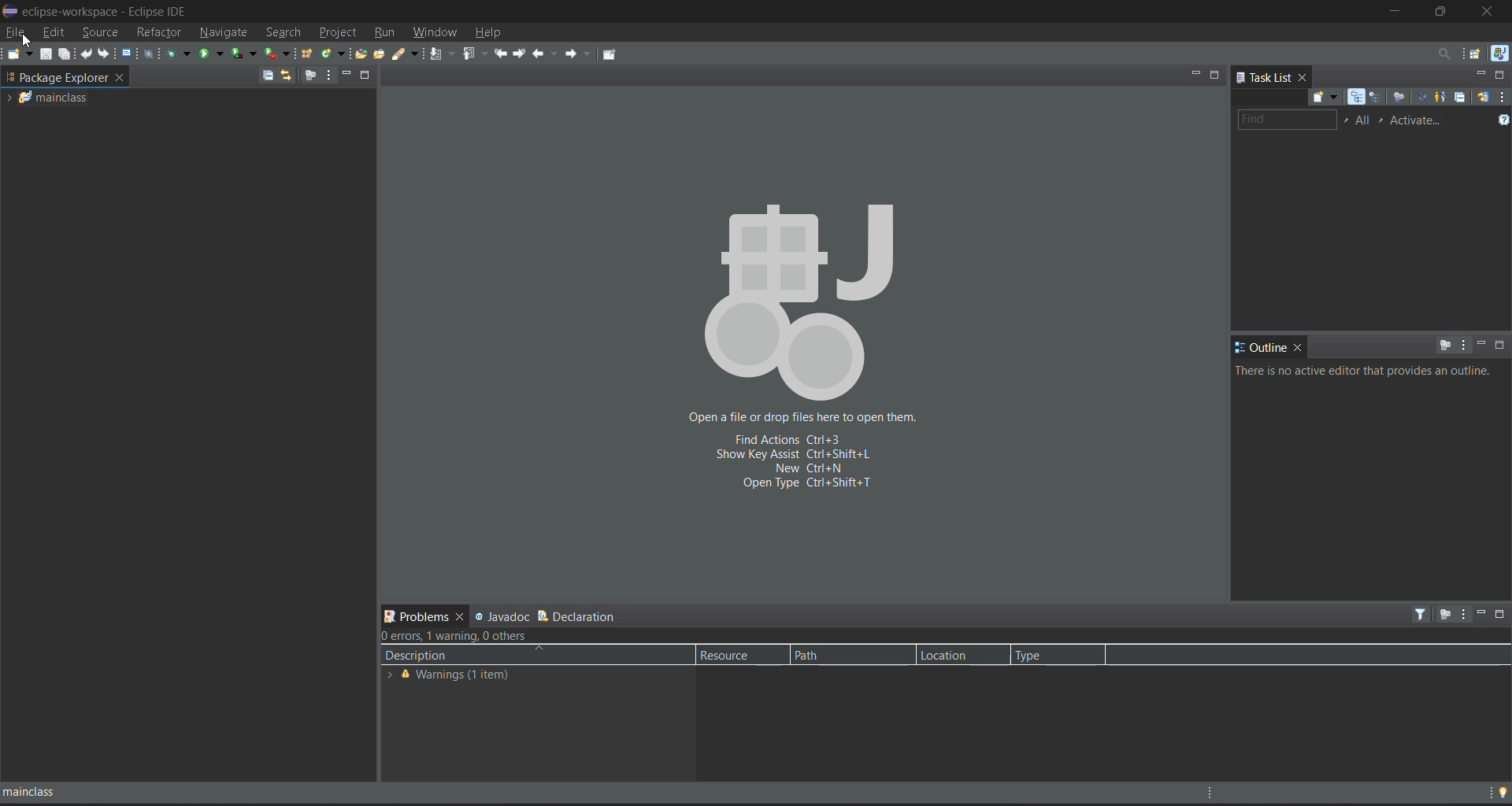 The image size is (1512, 806). Describe the element at coordinates (1398, 96) in the screenshot. I see `focus on workweek` at that location.